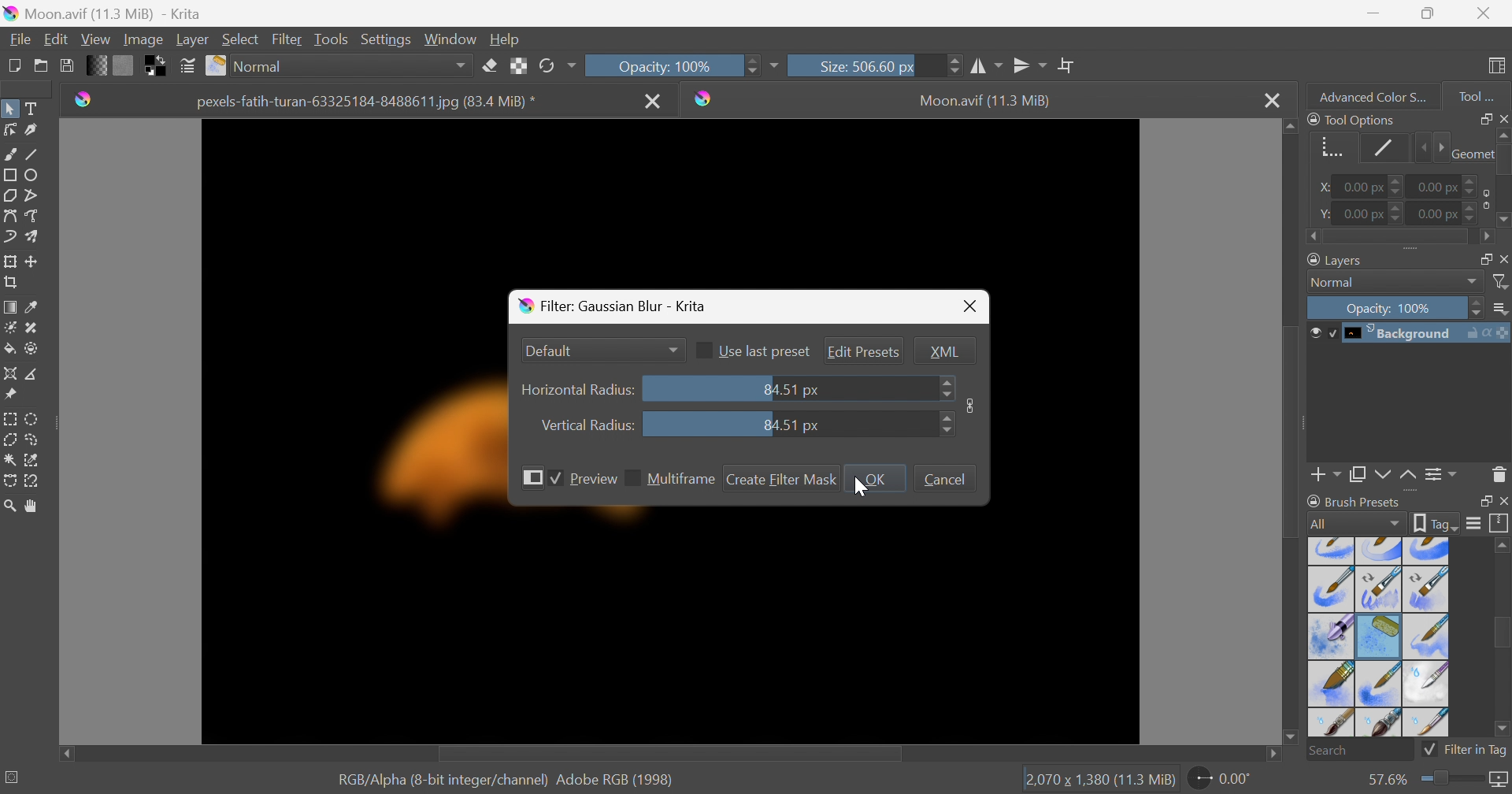 This screenshot has height=794, width=1512. What do you see at coordinates (944, 351) in the screenshot?
I see `XML` at bounding box center [944, 351].